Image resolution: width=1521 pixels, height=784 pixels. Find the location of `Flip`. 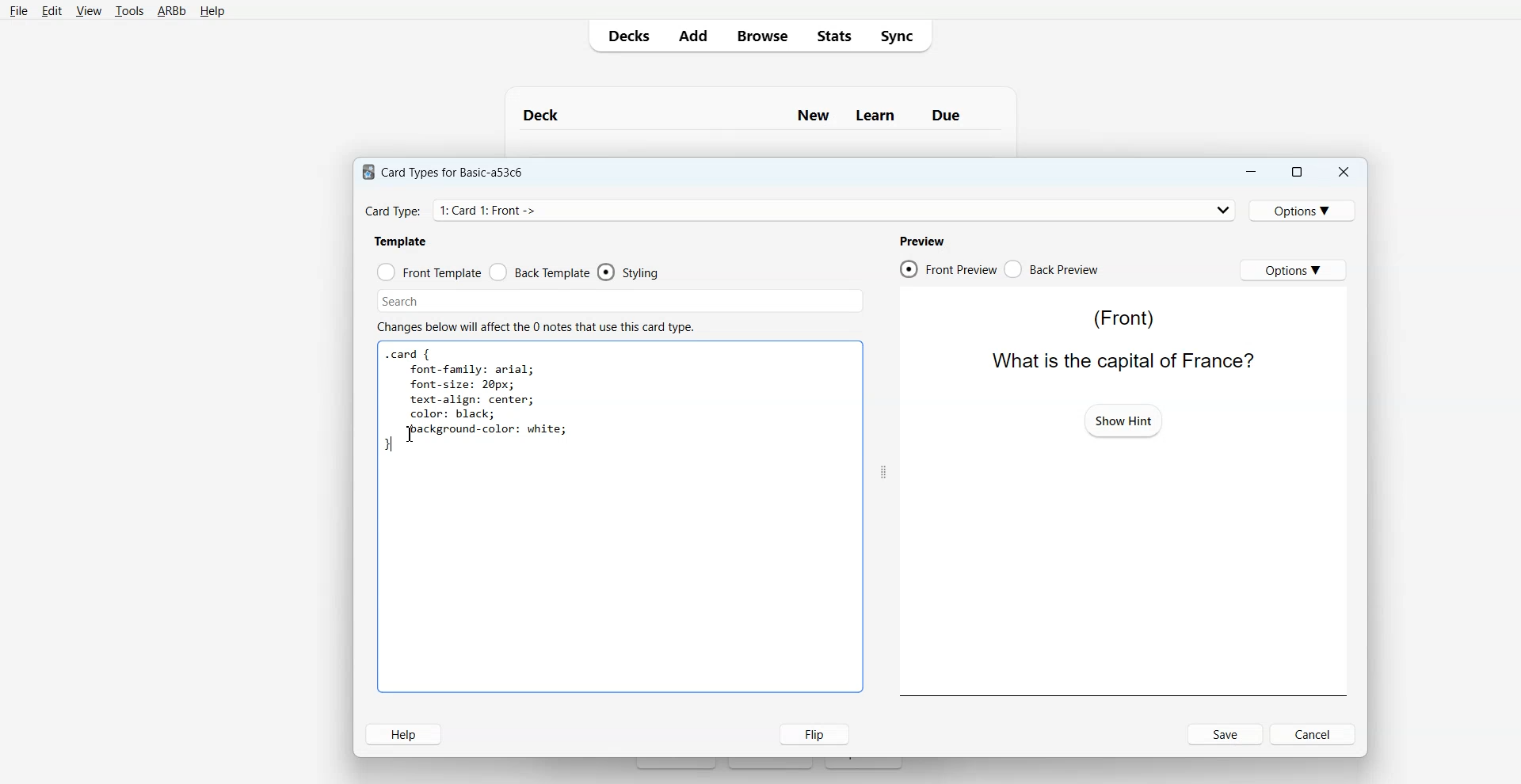

Flip is located at coordinates (810, 733).